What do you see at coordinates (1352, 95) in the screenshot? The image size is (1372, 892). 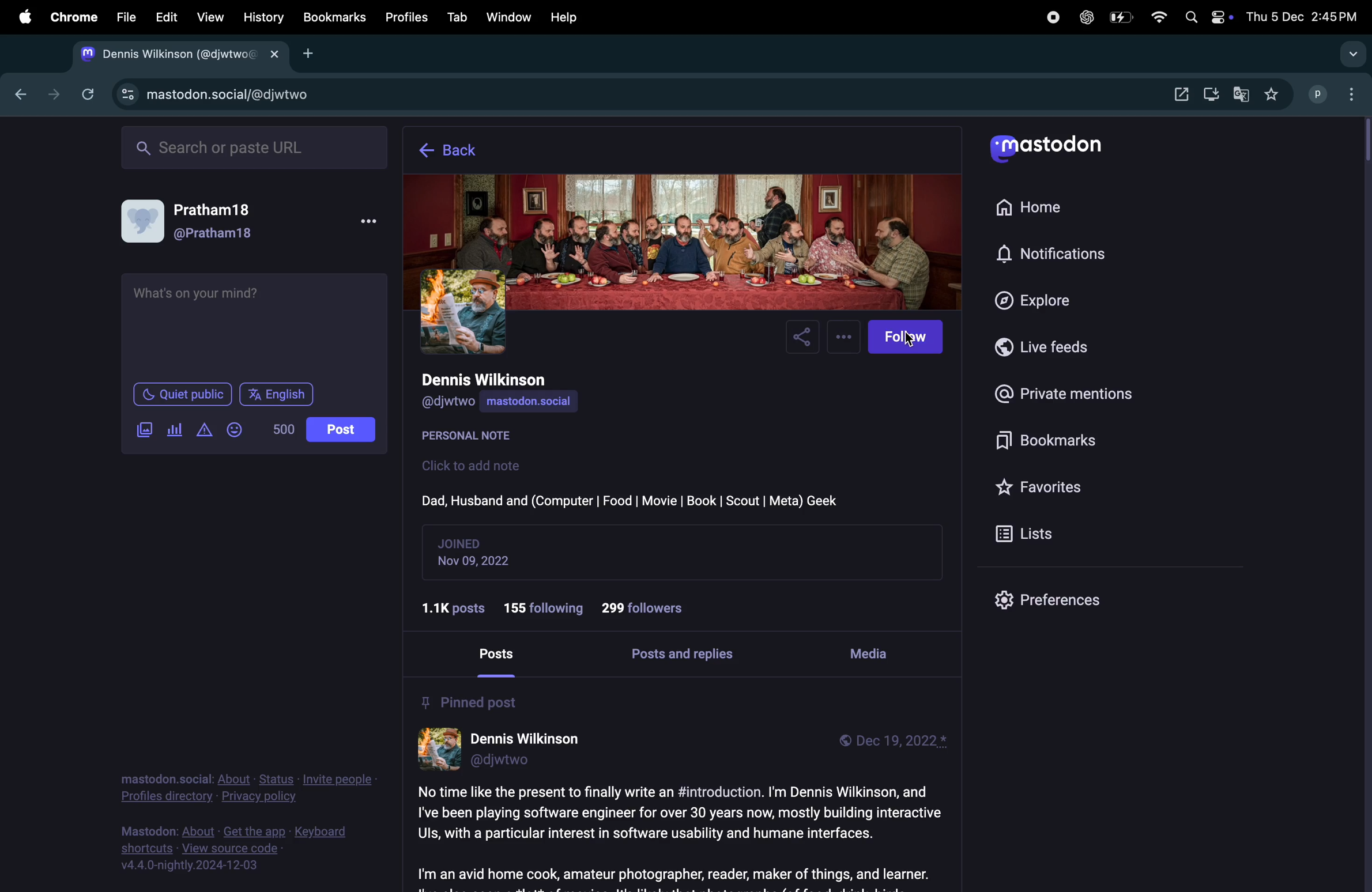 I see `option` at bounding box center [1352, 95].